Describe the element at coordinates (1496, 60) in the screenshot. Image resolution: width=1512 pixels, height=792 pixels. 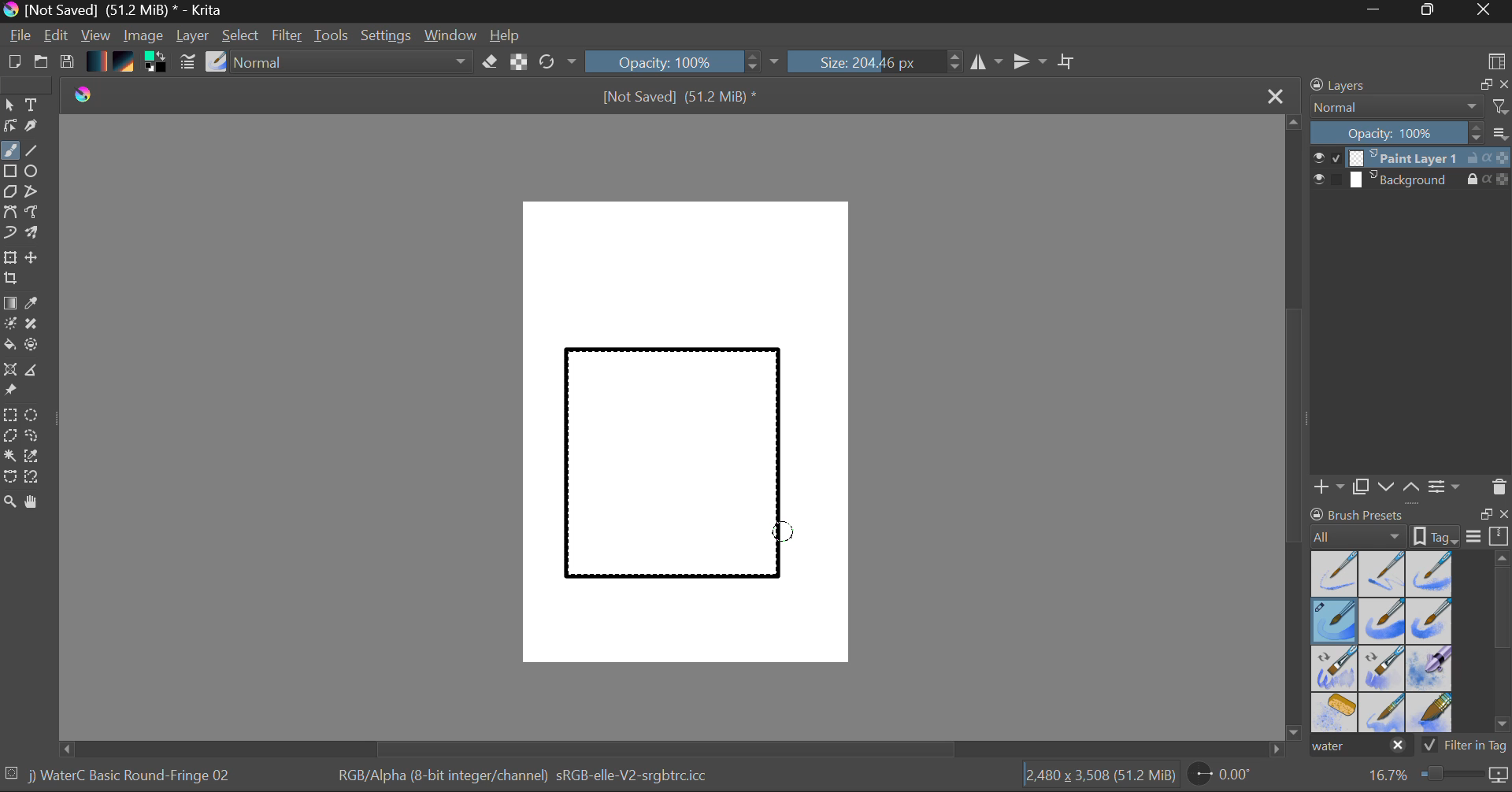
I see `Choose Workspace` at that location.